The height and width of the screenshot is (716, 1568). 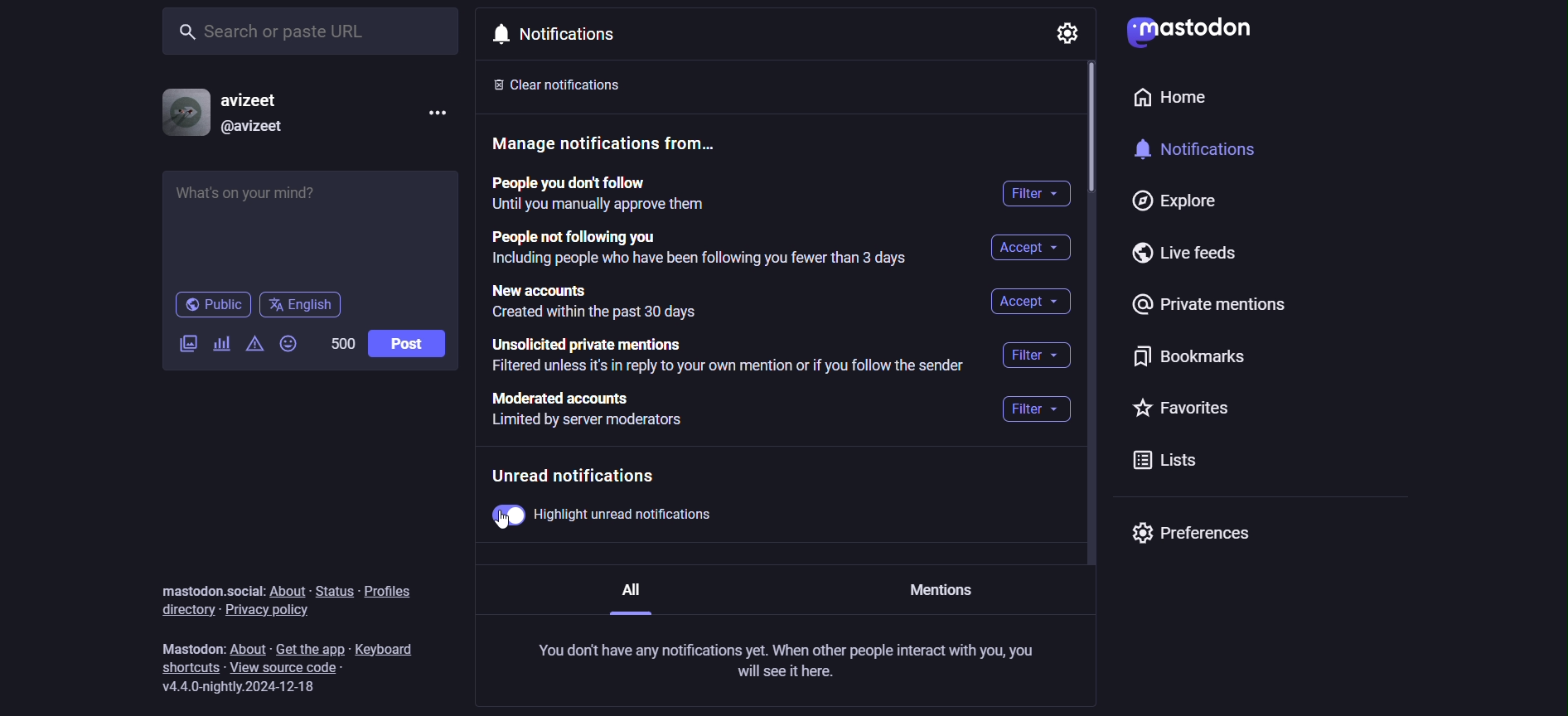 I want to click on add a poll, so click(x=221, y=346).